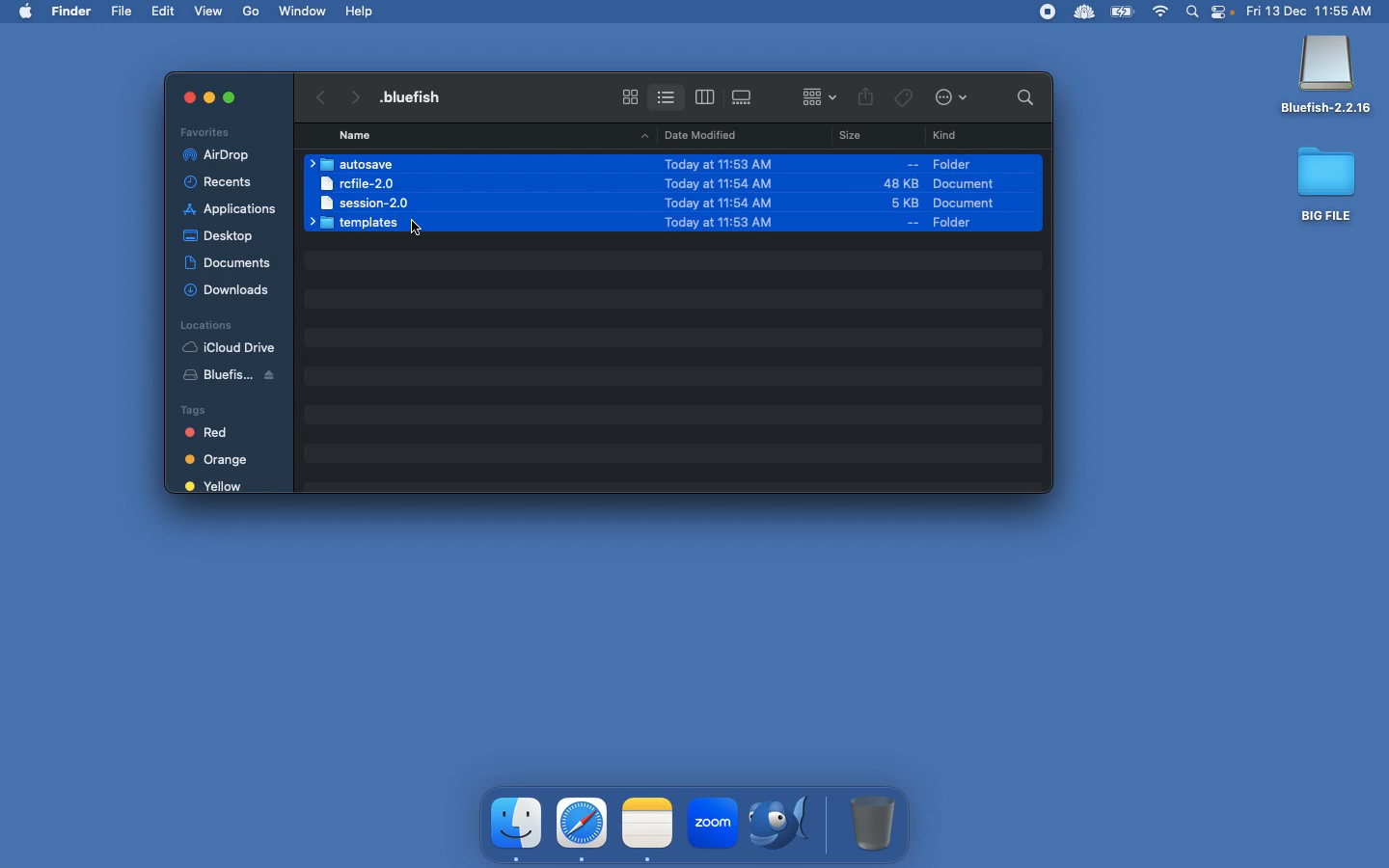  What do you see at coordinates (215, 487) in the screenshot?
I see `yellow` at bounding box center [215, 487].